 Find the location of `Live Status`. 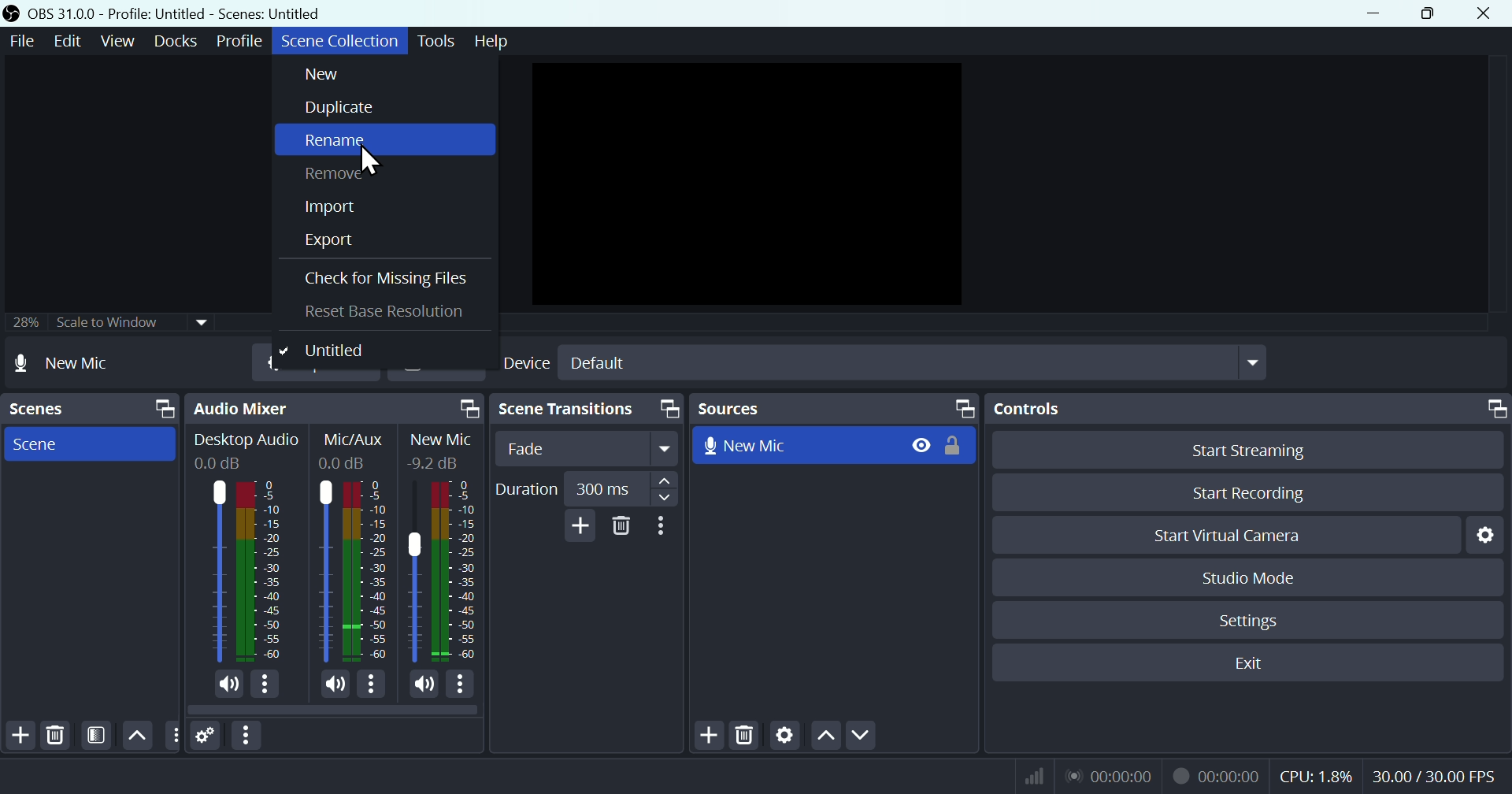

Live Status is located at coordinates (1110, 776).